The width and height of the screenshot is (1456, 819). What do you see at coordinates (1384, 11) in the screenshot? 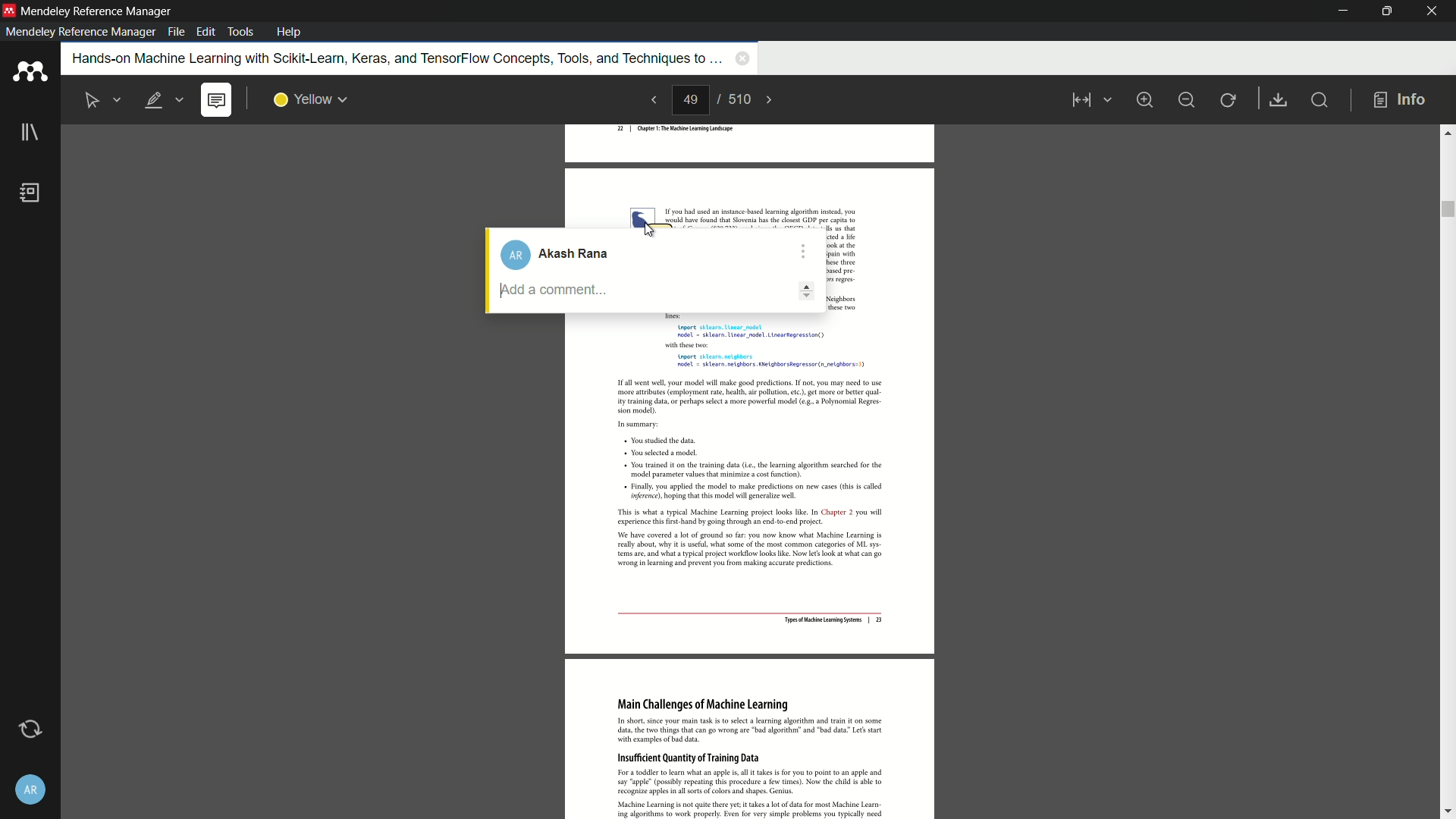
I see `maximize` at bounding box center [1384, 11].